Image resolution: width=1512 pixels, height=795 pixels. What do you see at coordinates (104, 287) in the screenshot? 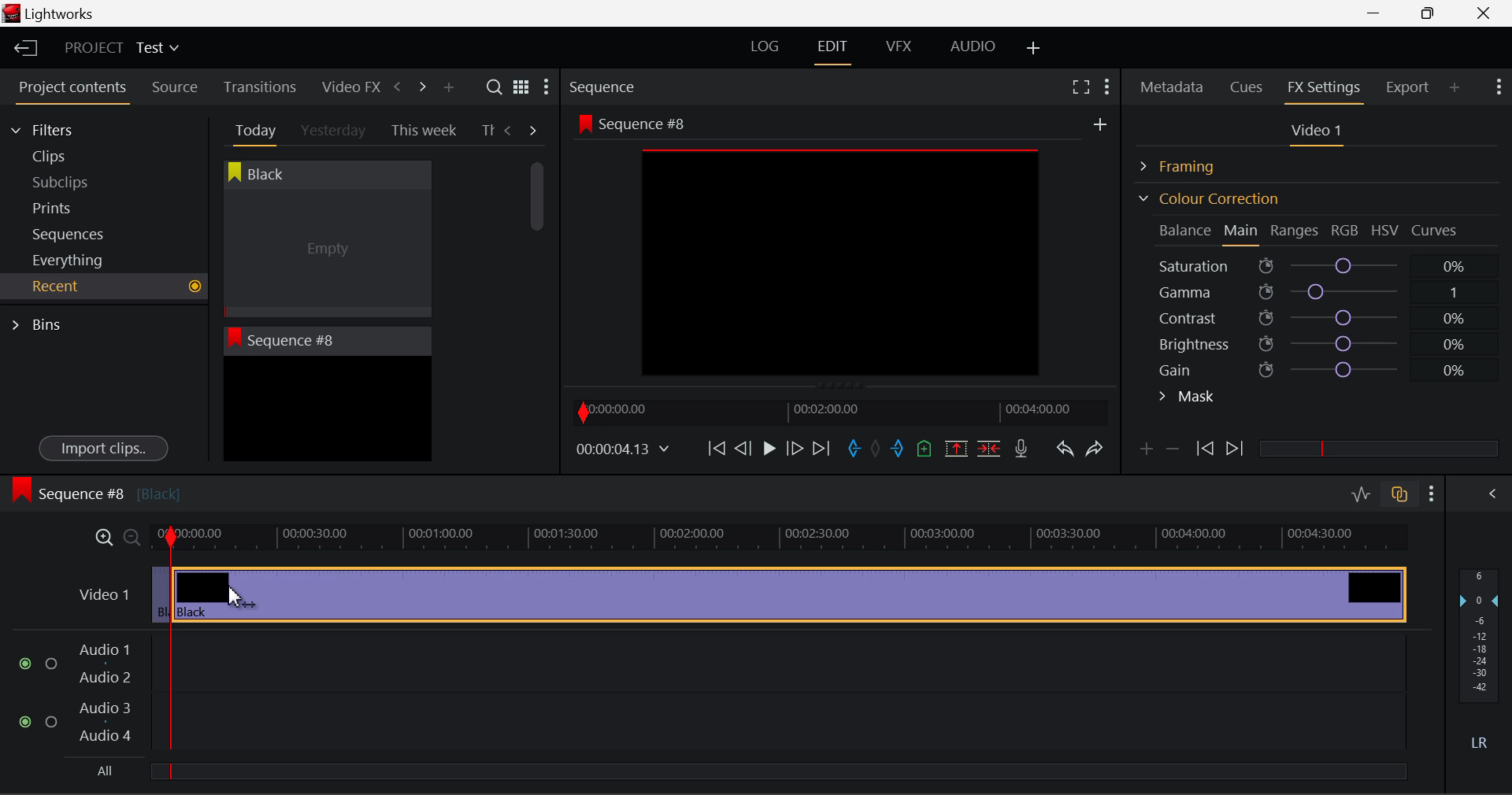
I see `Recent Tab Open` at bounding box center [104, 287].